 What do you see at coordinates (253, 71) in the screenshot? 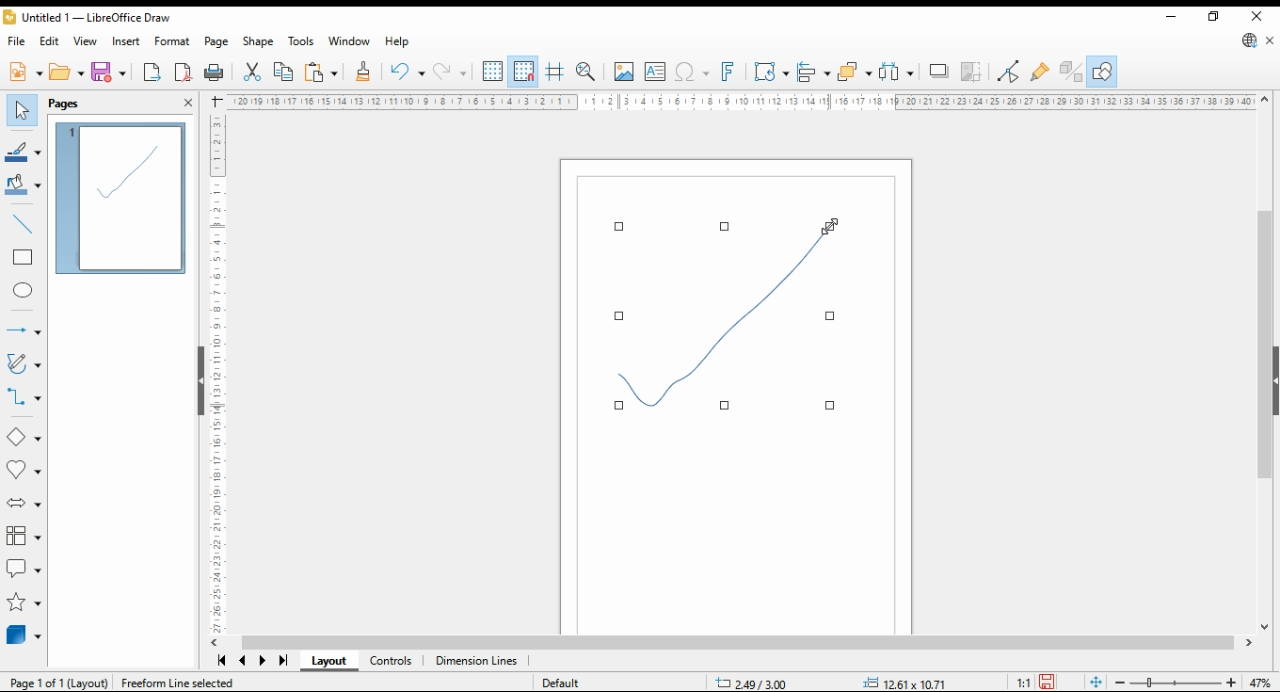
I see `cut` at bounding box center [253, 71].